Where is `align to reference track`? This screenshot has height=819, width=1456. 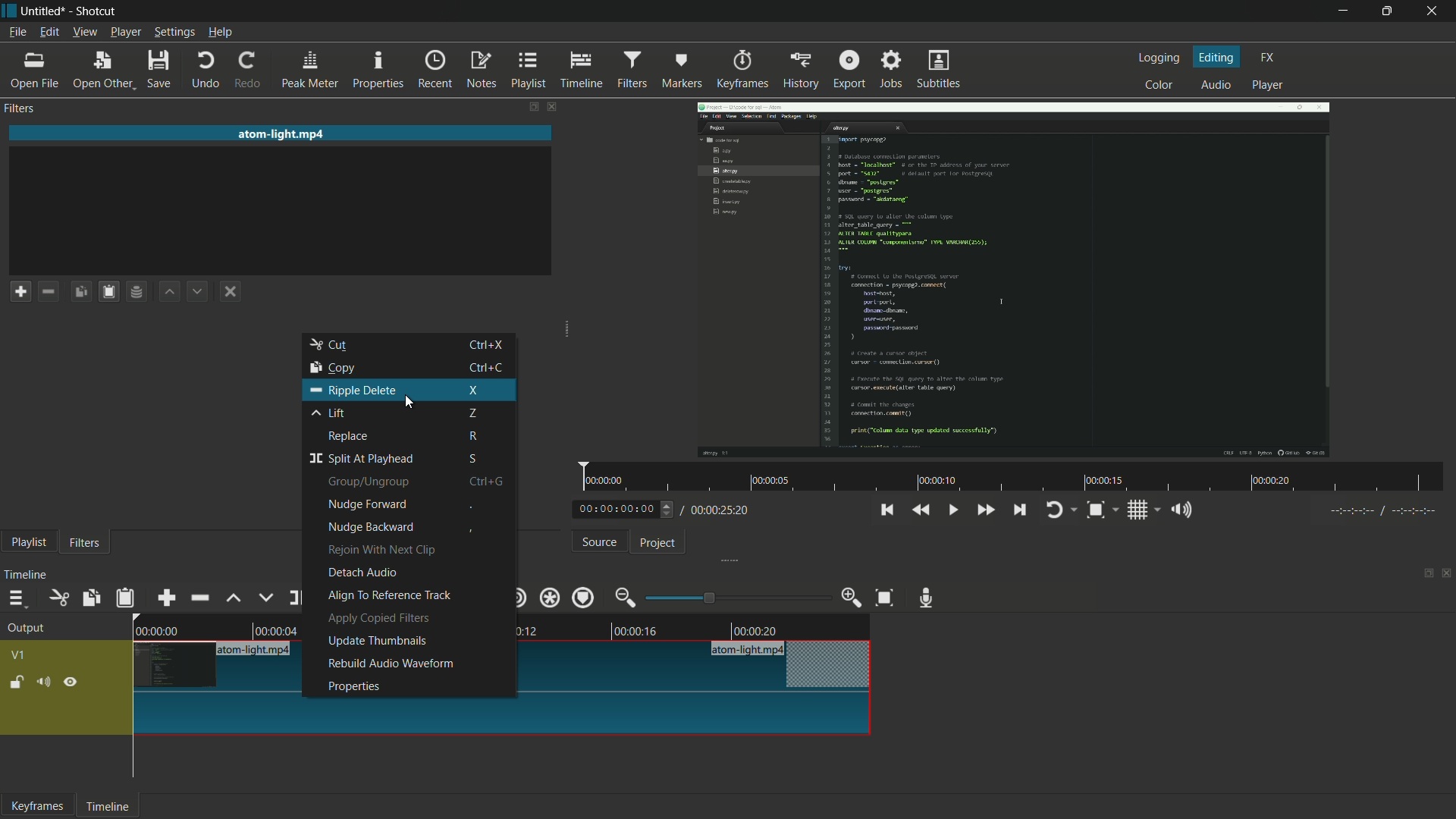
align to reference track is located at coordinates (388, 597).